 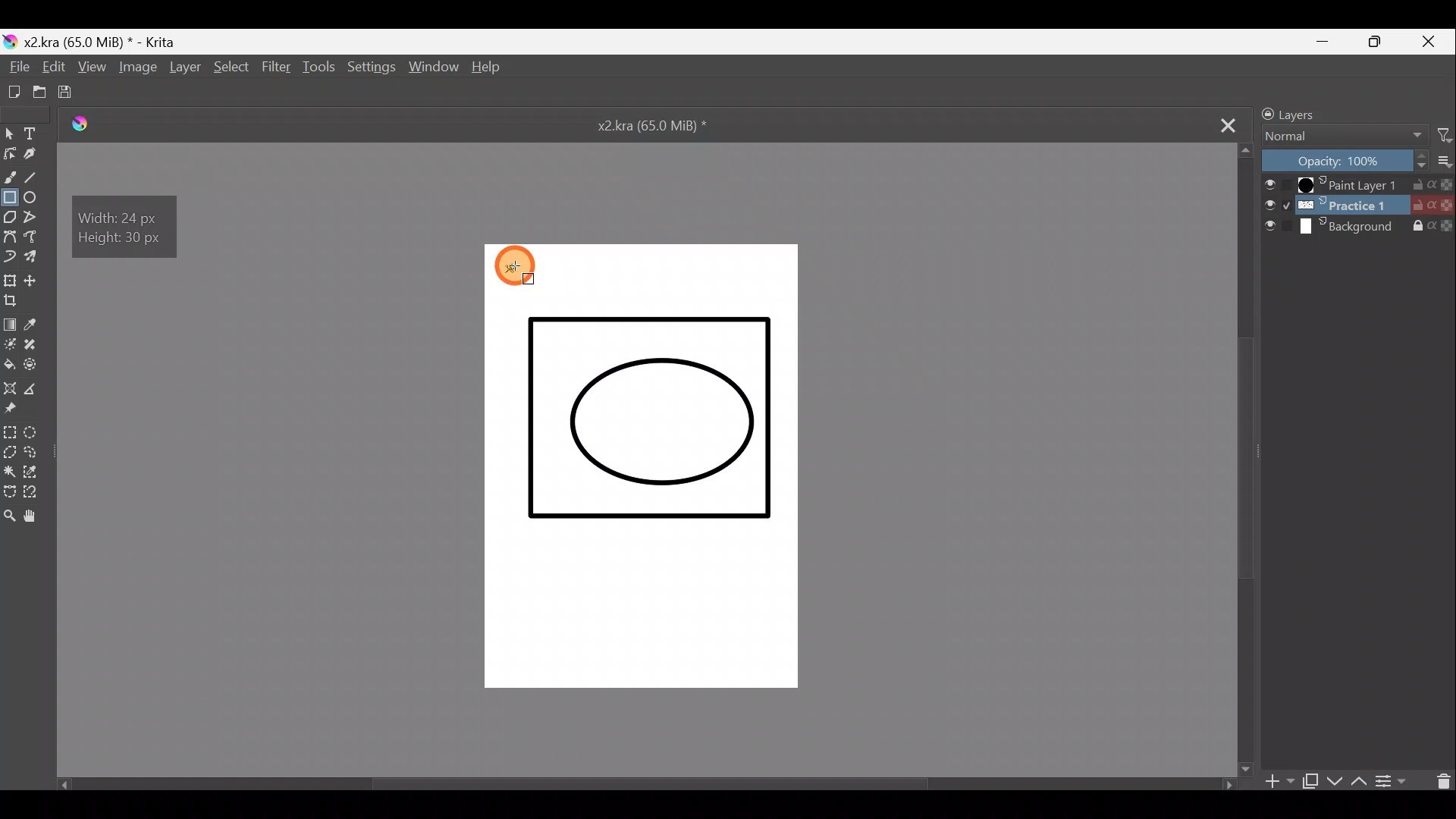 What do you see at coordinates (1382, 42) in the screenshot?
I see `Maximize` at bounding box center [1382, 42].